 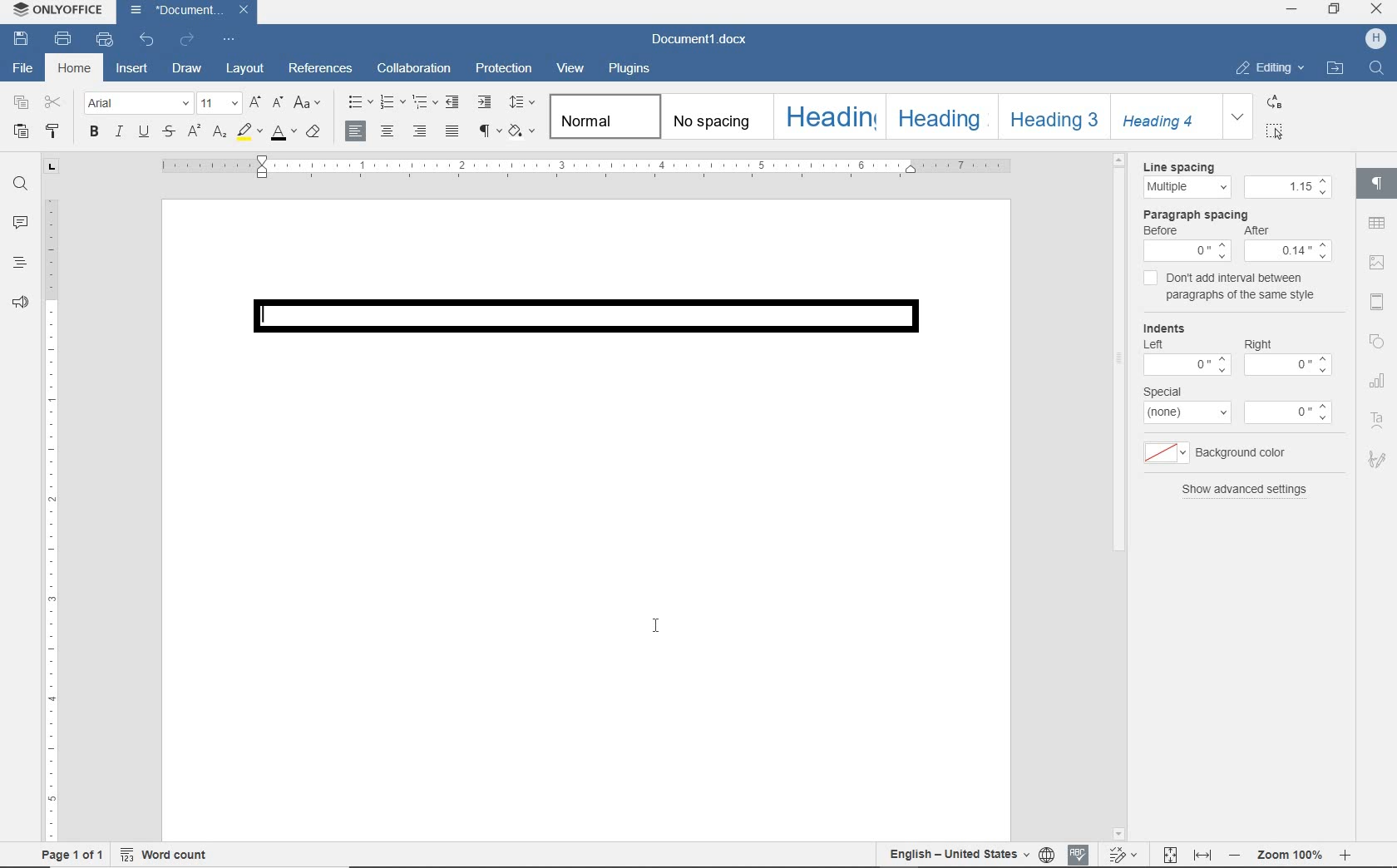 I want to click on Signature, so click(x=1380, y=461).